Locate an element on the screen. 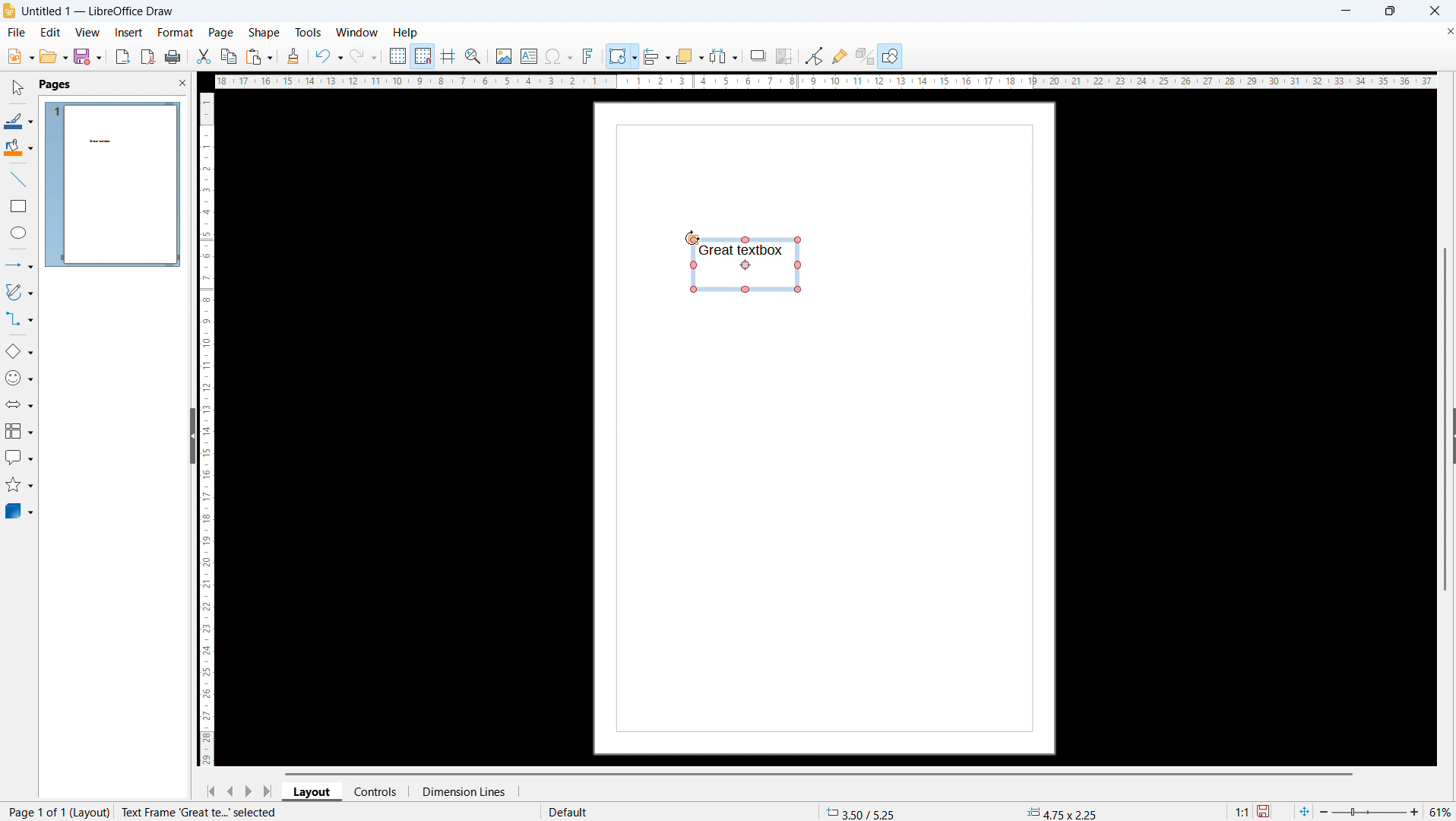  page is located at coordinates (221, 33).